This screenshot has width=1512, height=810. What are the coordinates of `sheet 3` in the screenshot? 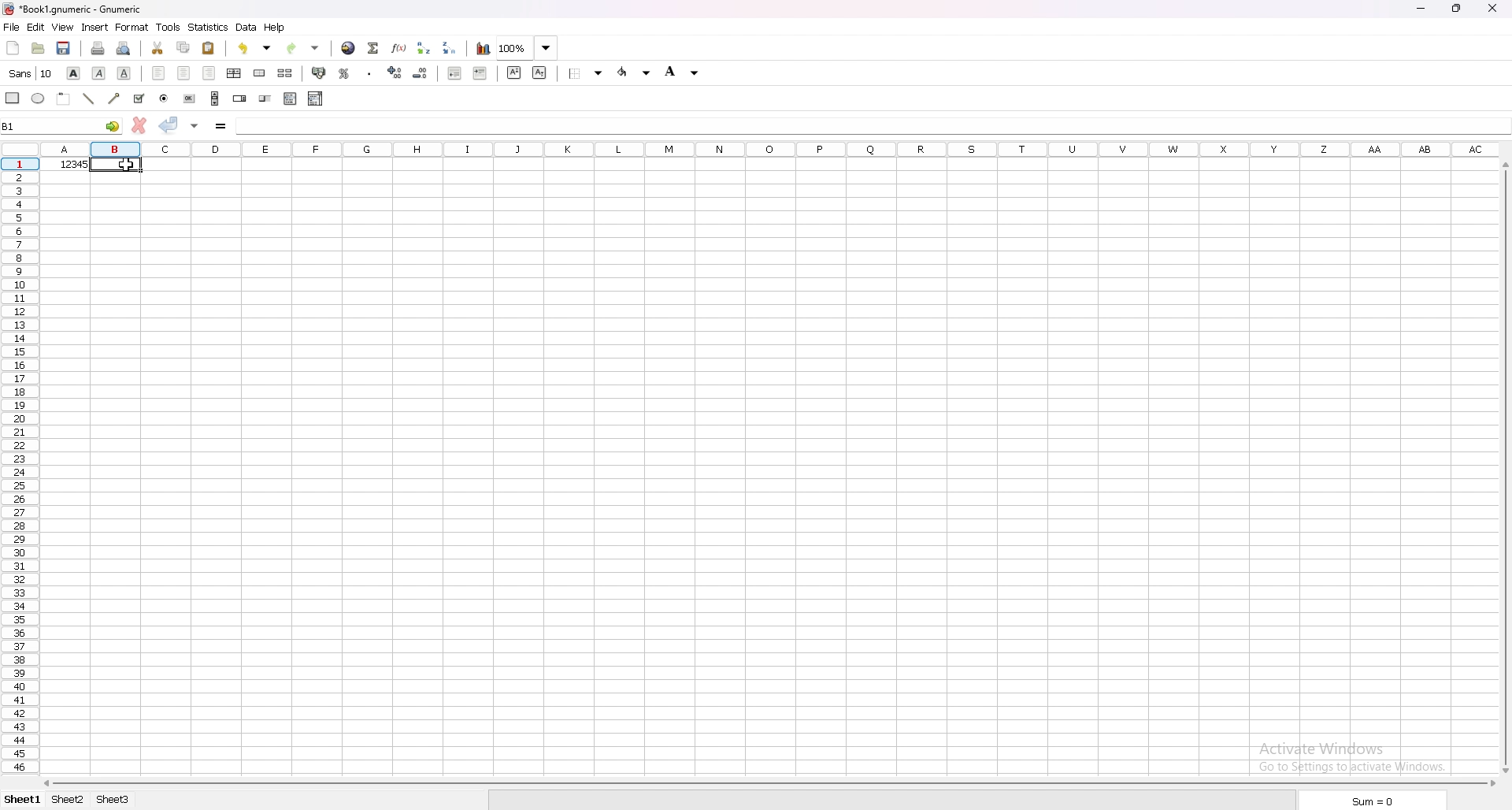 It's located at (113, 800).